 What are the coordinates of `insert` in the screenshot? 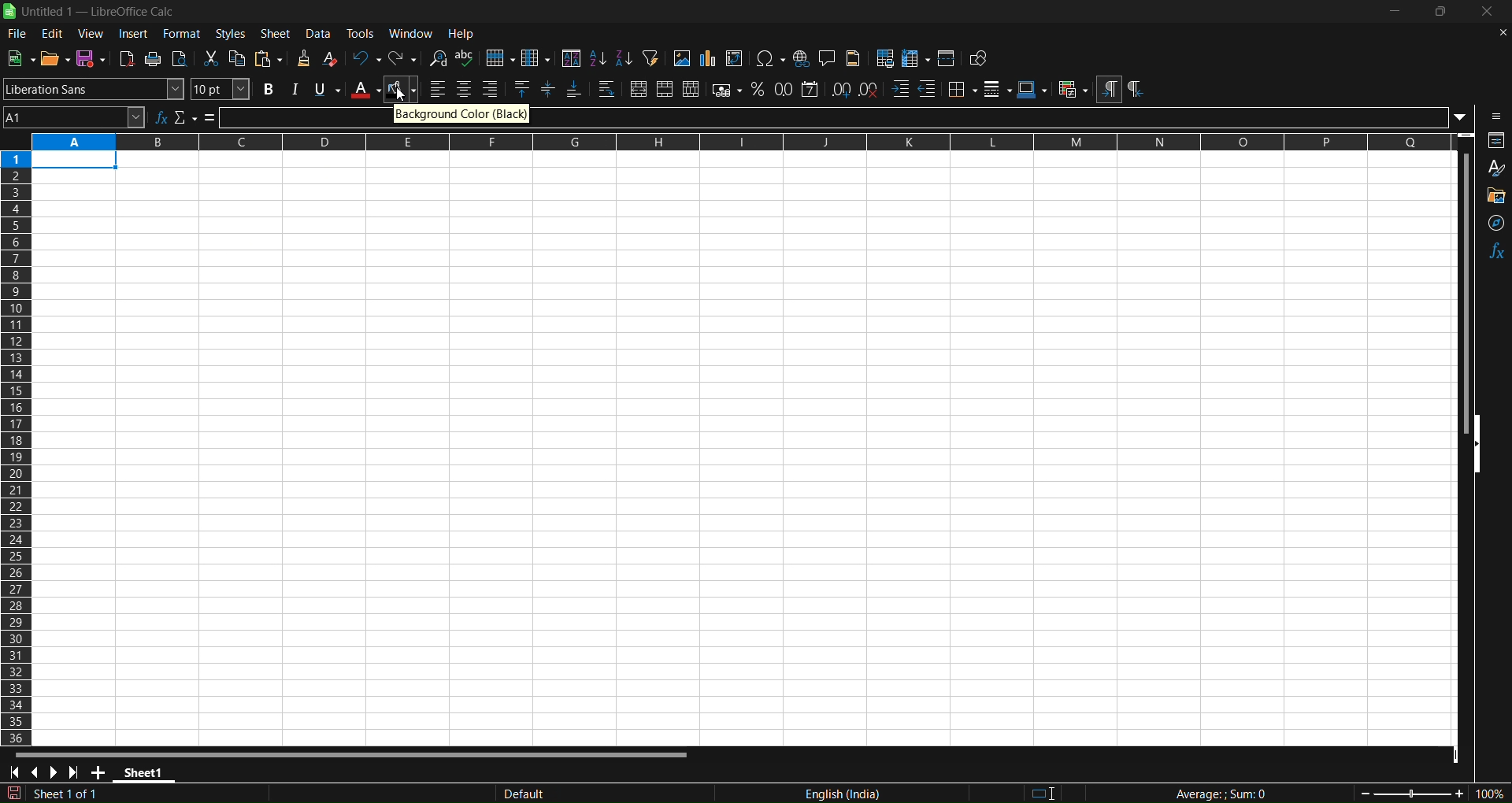 It's located at (135, 35).